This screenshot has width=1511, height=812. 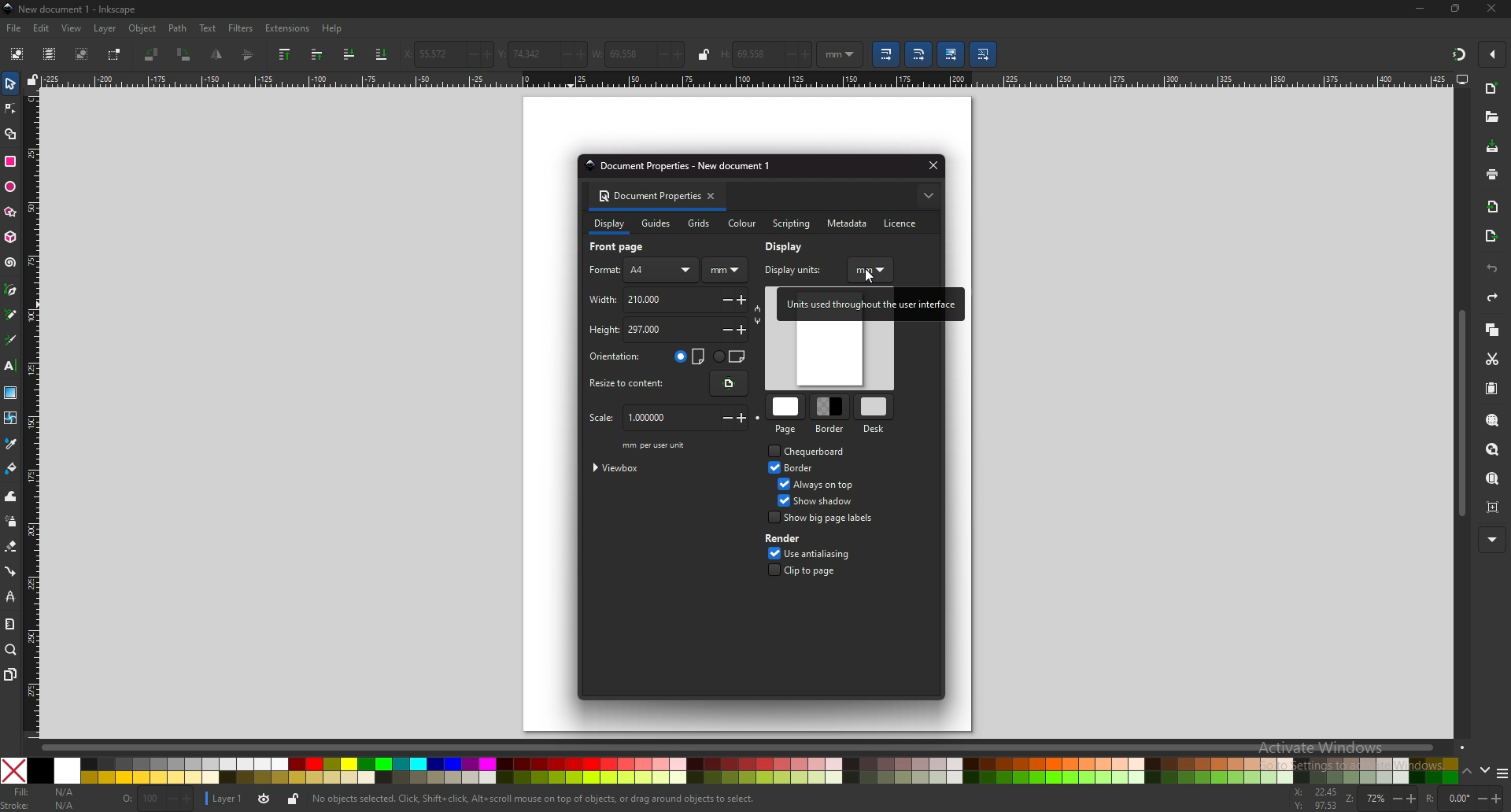 I want to click on rotate 90 cw, so click(x=185, y=56).